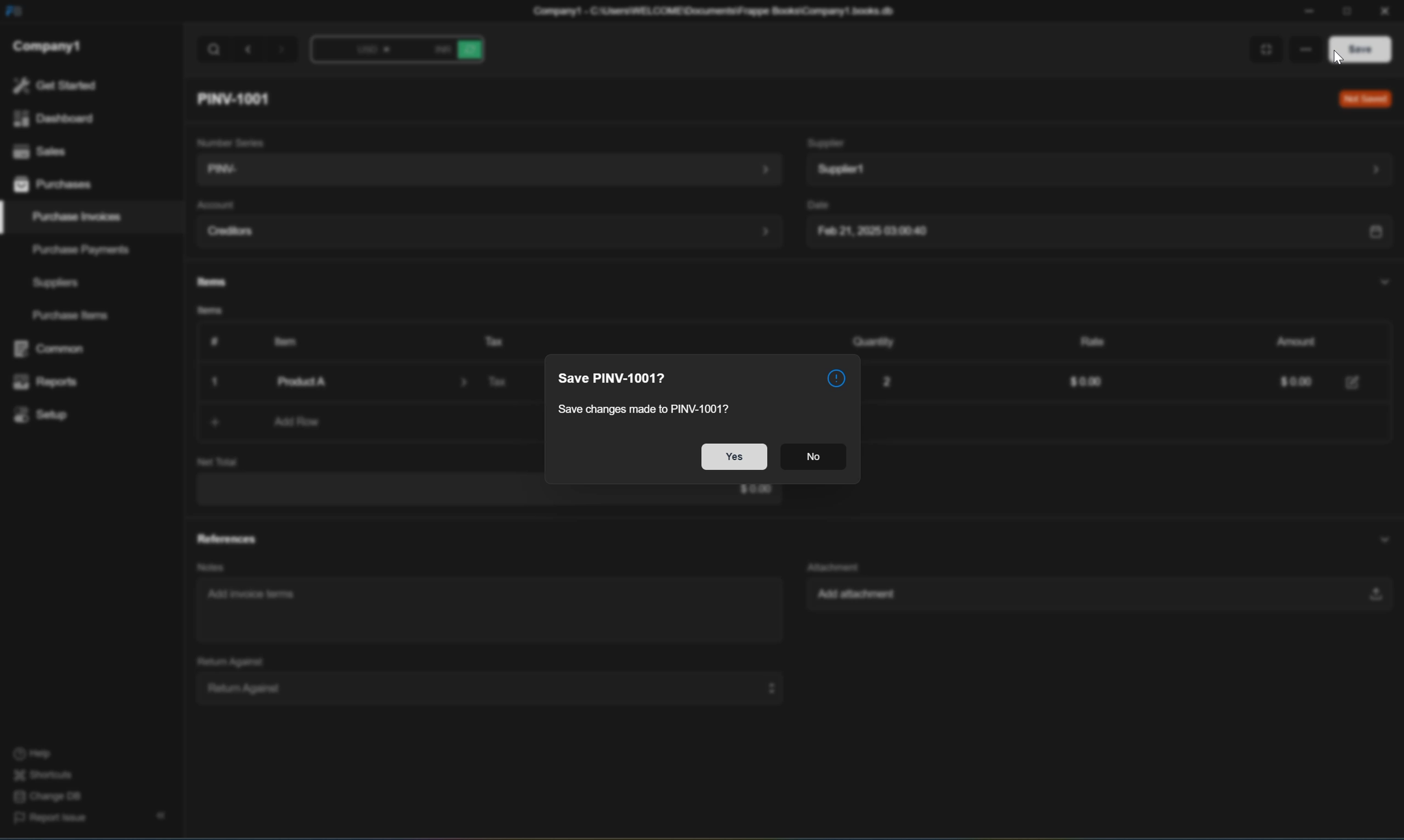 This screenshot has height=840, width=1404. I want to click on Save changes made to PINV-1001?, so click(652, 407).